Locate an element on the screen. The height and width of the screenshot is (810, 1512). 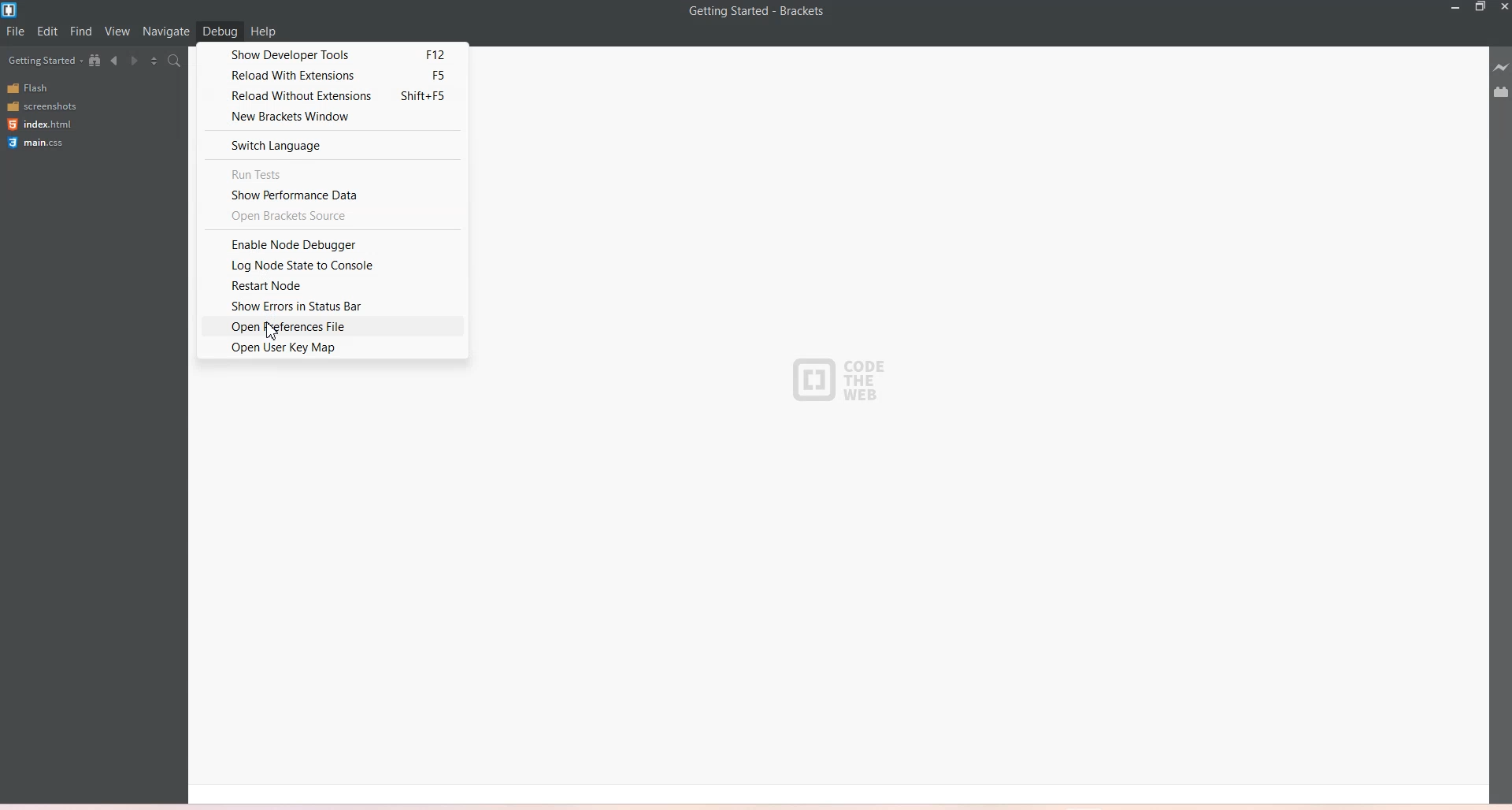
Log node state to console is located at coordinates (328, 265).